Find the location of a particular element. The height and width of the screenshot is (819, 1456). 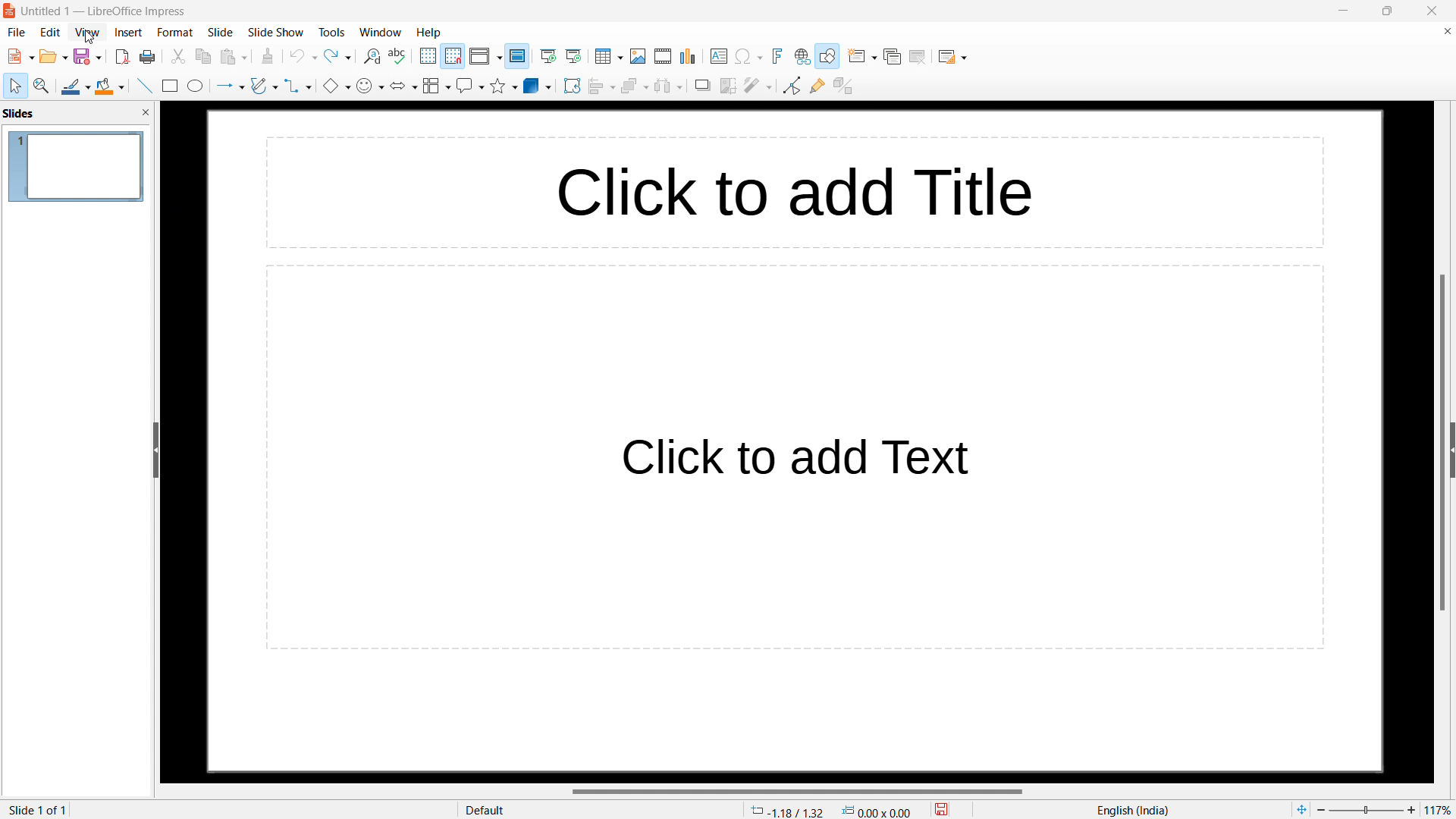

slide 1 is located at coordinates (77, 167).